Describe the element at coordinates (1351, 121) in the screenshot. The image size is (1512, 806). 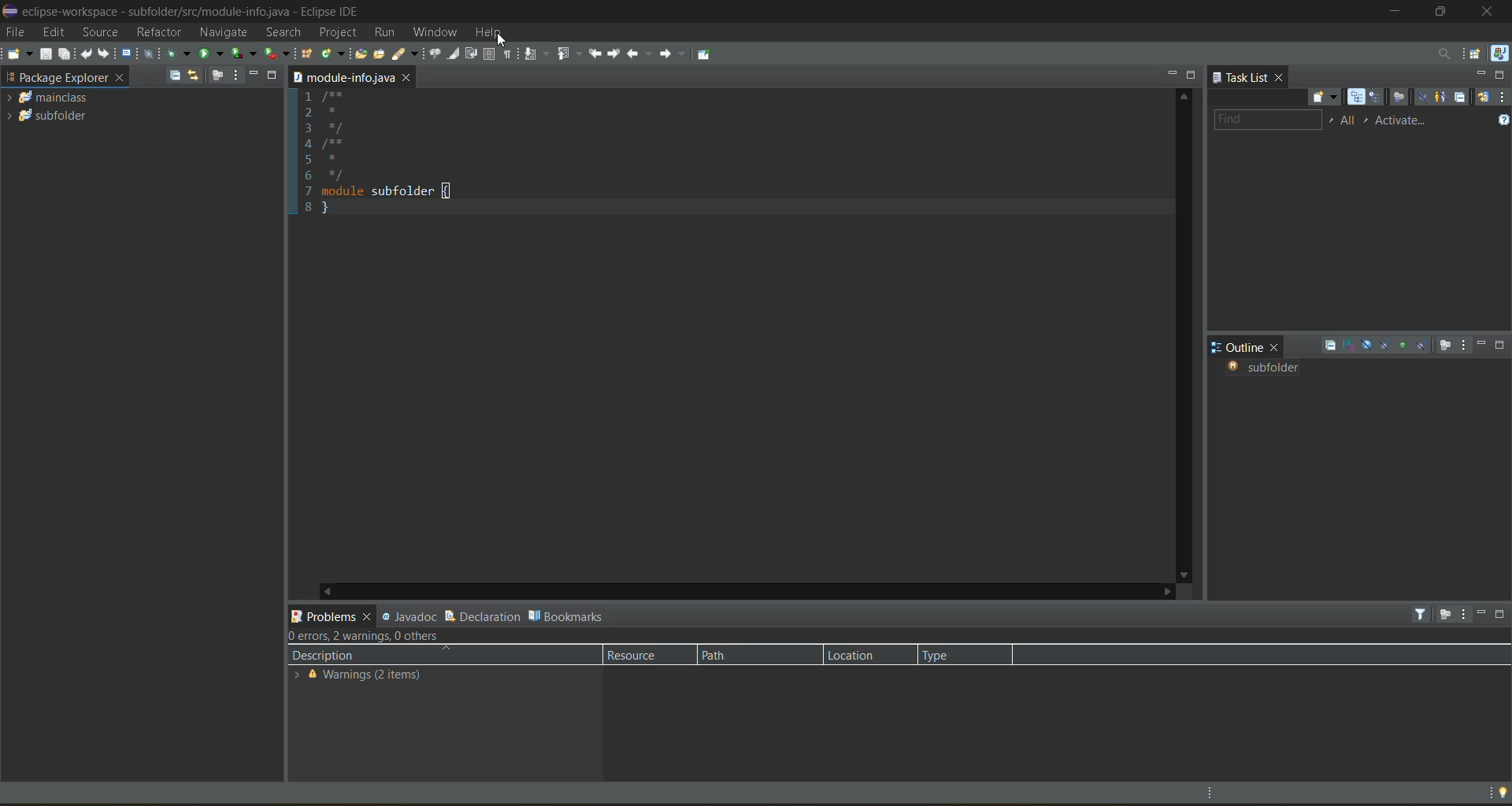
I see `edit task working sets` at that location.